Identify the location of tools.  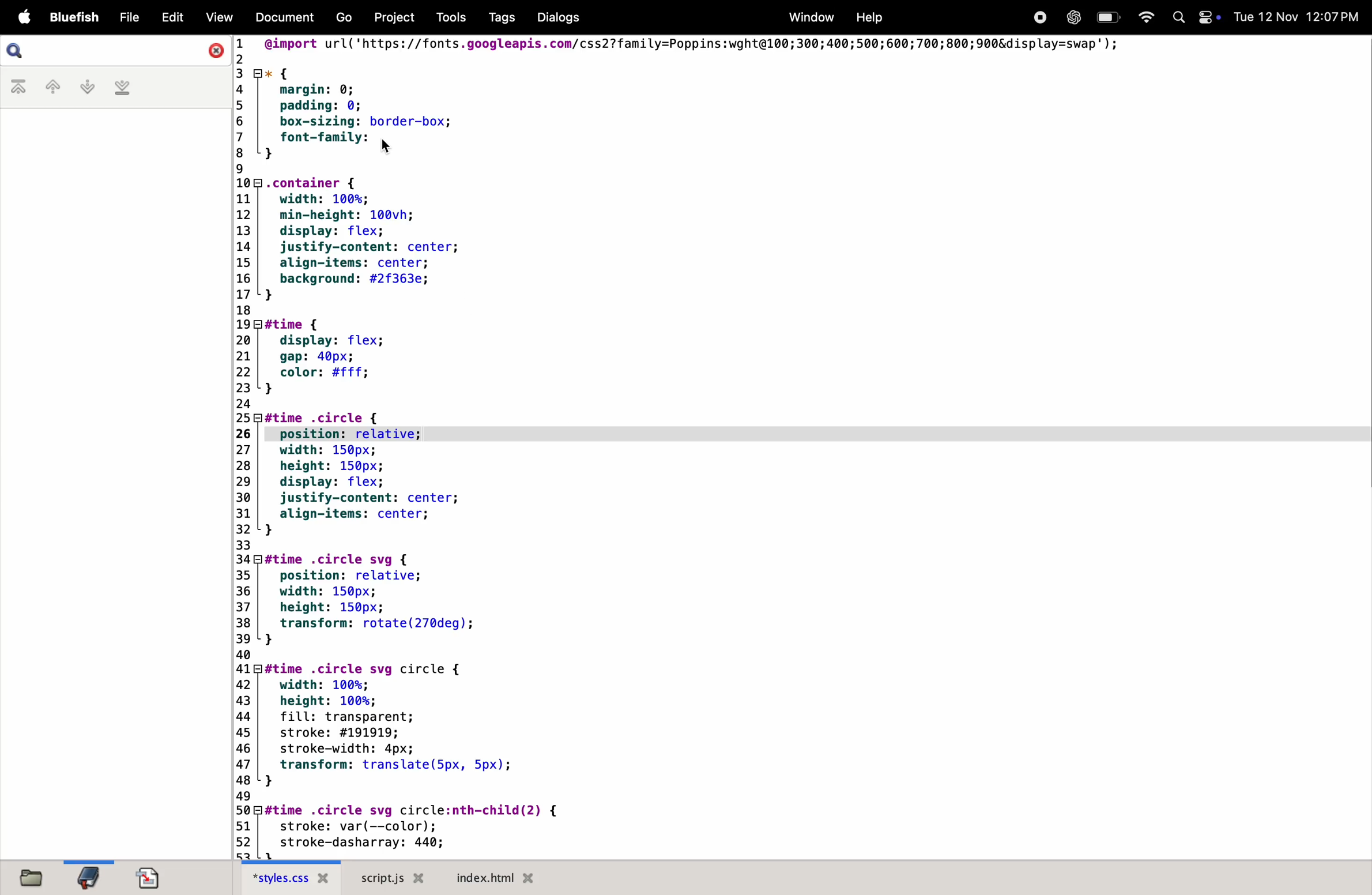
(446, 17).